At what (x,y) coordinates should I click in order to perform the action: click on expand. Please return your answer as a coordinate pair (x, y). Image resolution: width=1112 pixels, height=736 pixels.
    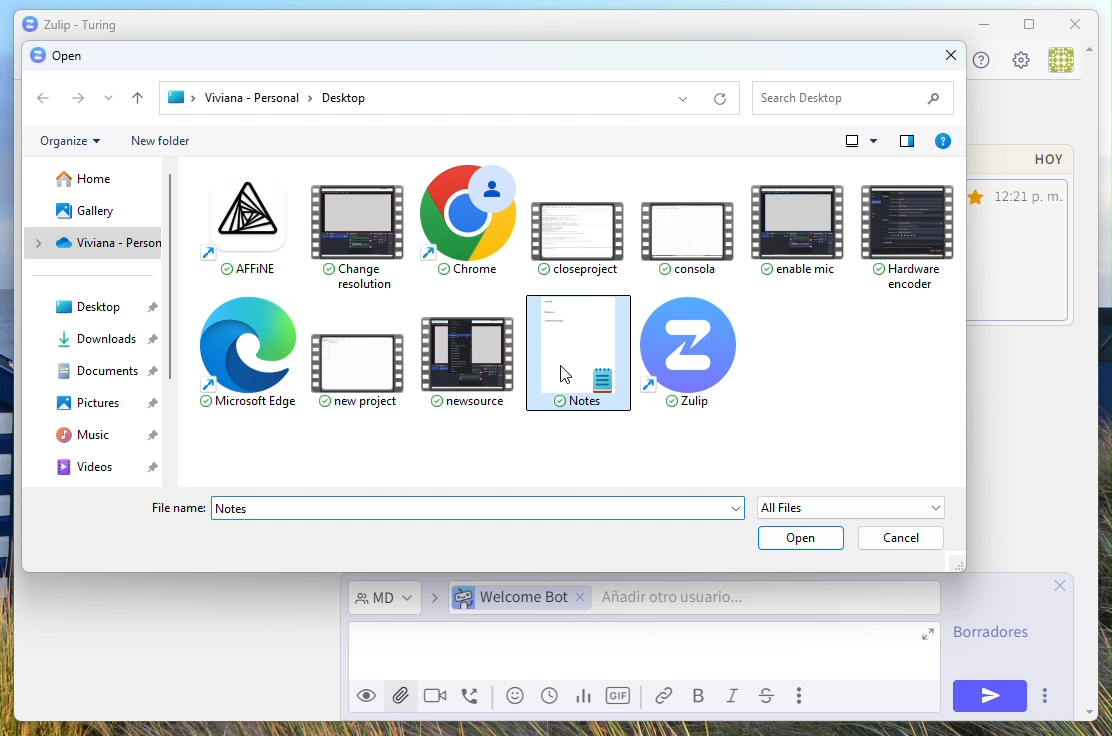
    Looking at the image, I should click on (930, 638).